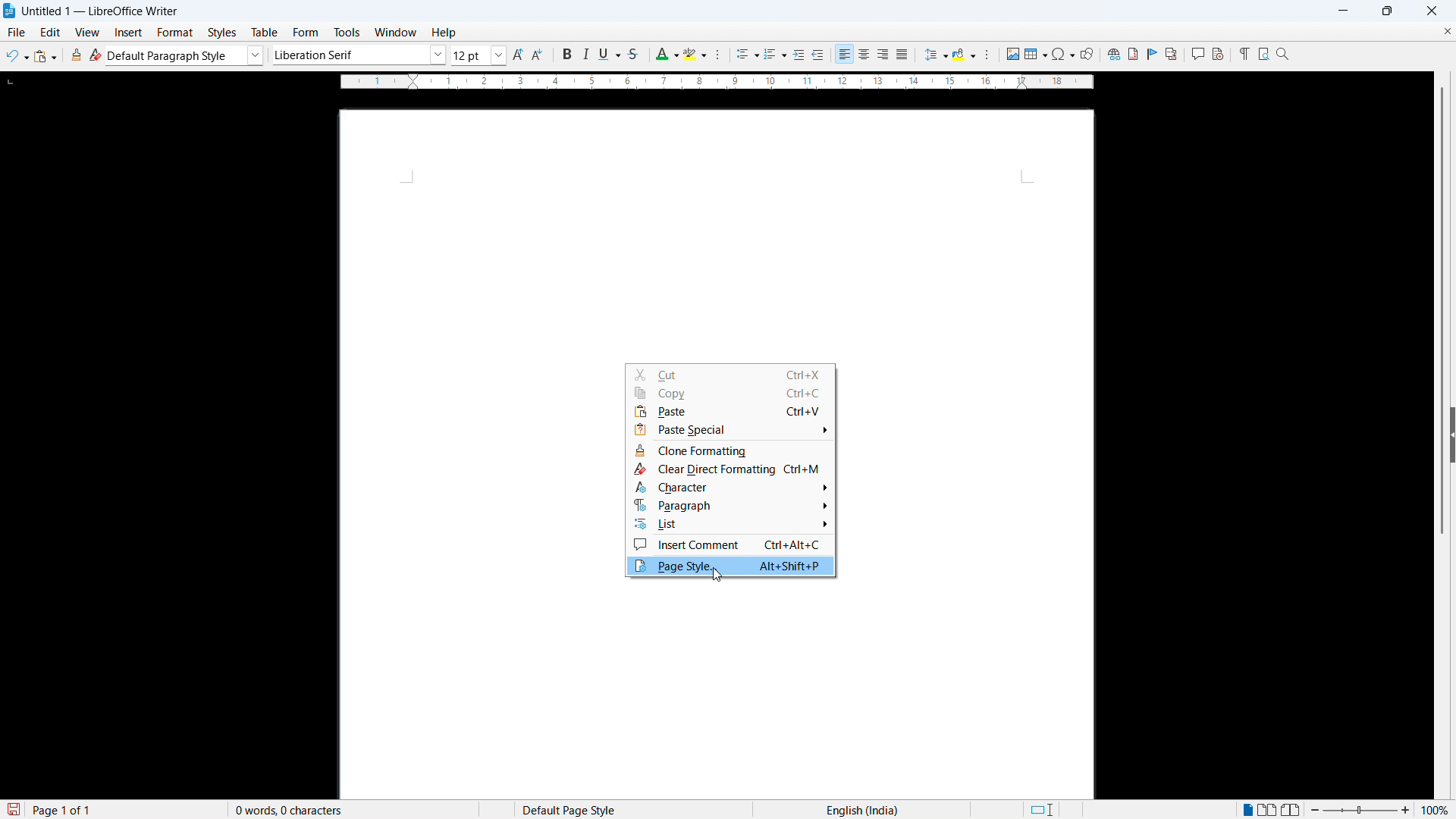 This screenshot has width=1456, height=819. I want to click on Zoom percentage , so click(1437, 809).